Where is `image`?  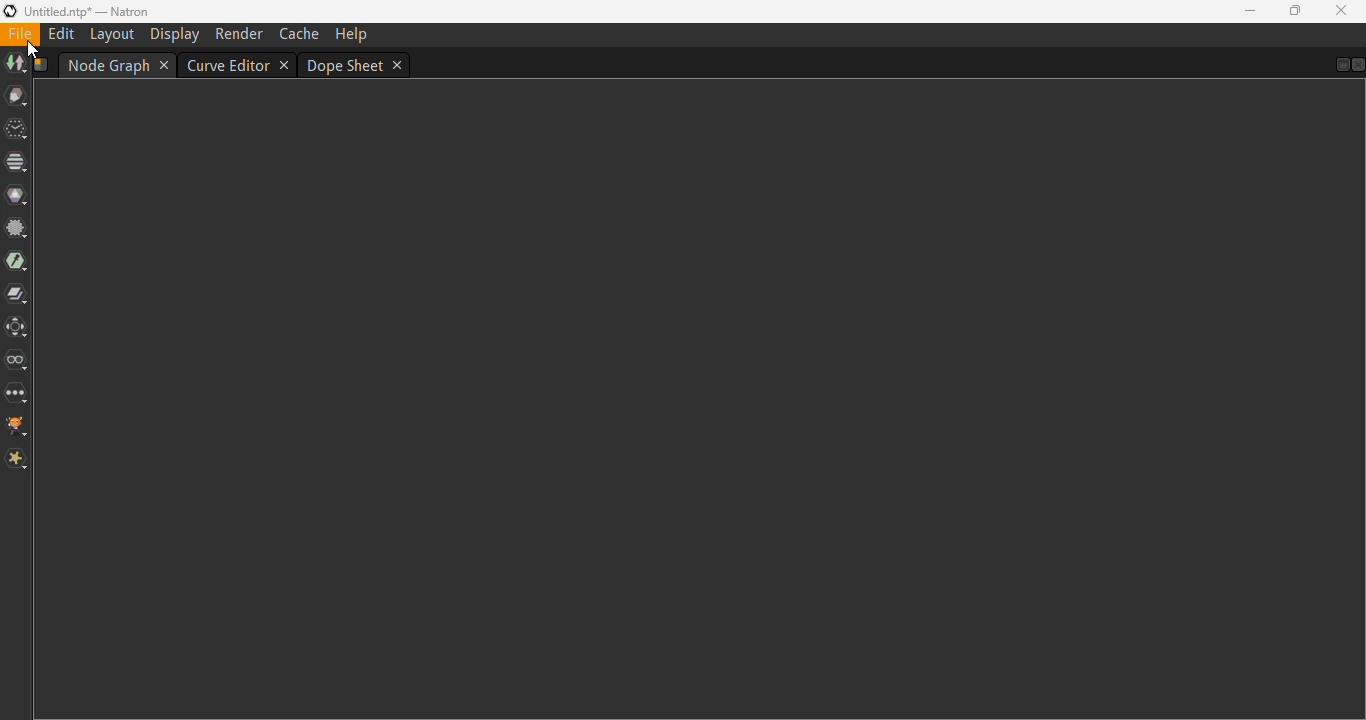
image is located at coordinates (15, 65).